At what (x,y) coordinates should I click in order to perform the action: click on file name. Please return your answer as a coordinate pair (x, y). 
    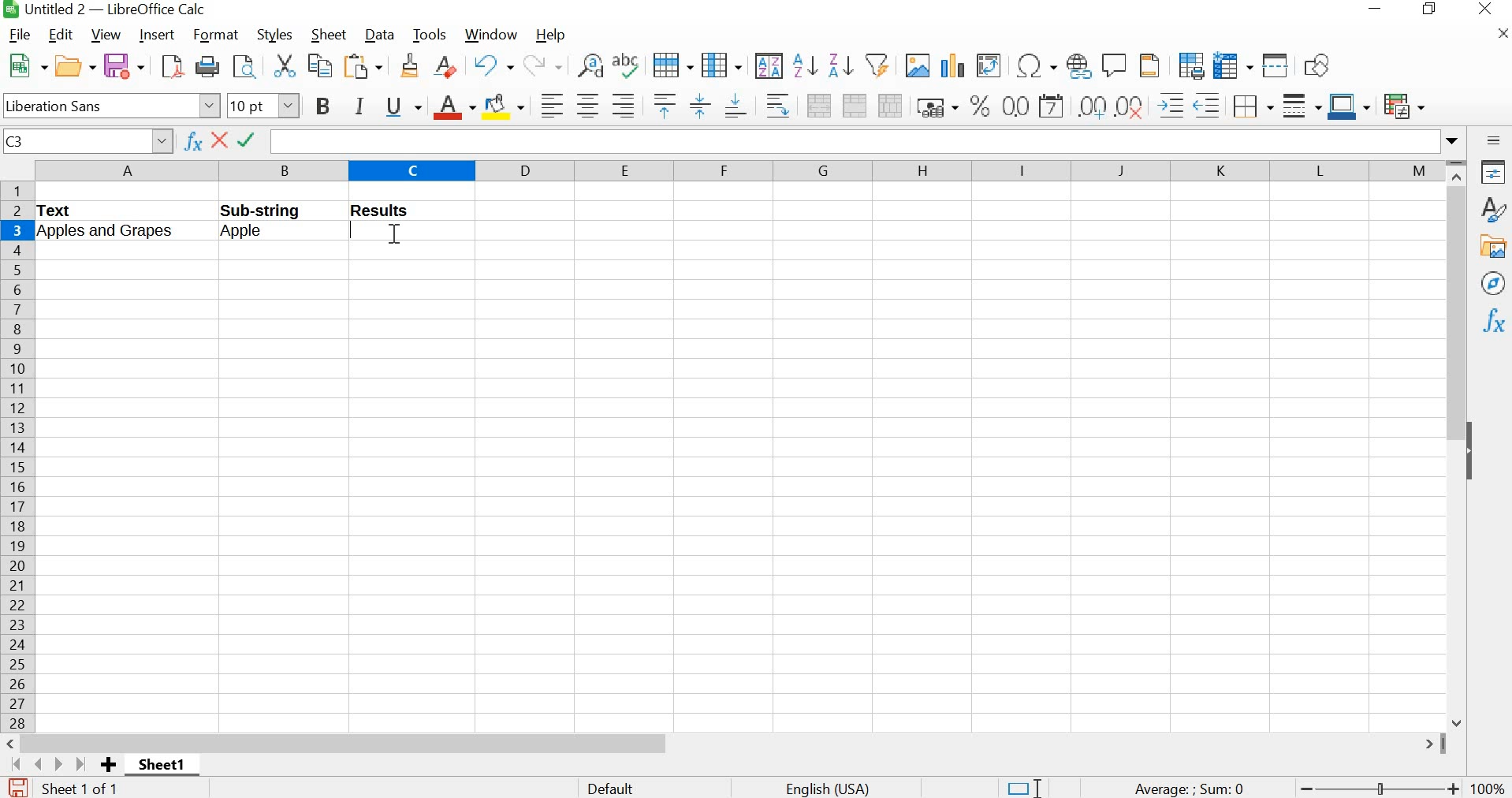
    Looking at the image, I should click on (103, 9).